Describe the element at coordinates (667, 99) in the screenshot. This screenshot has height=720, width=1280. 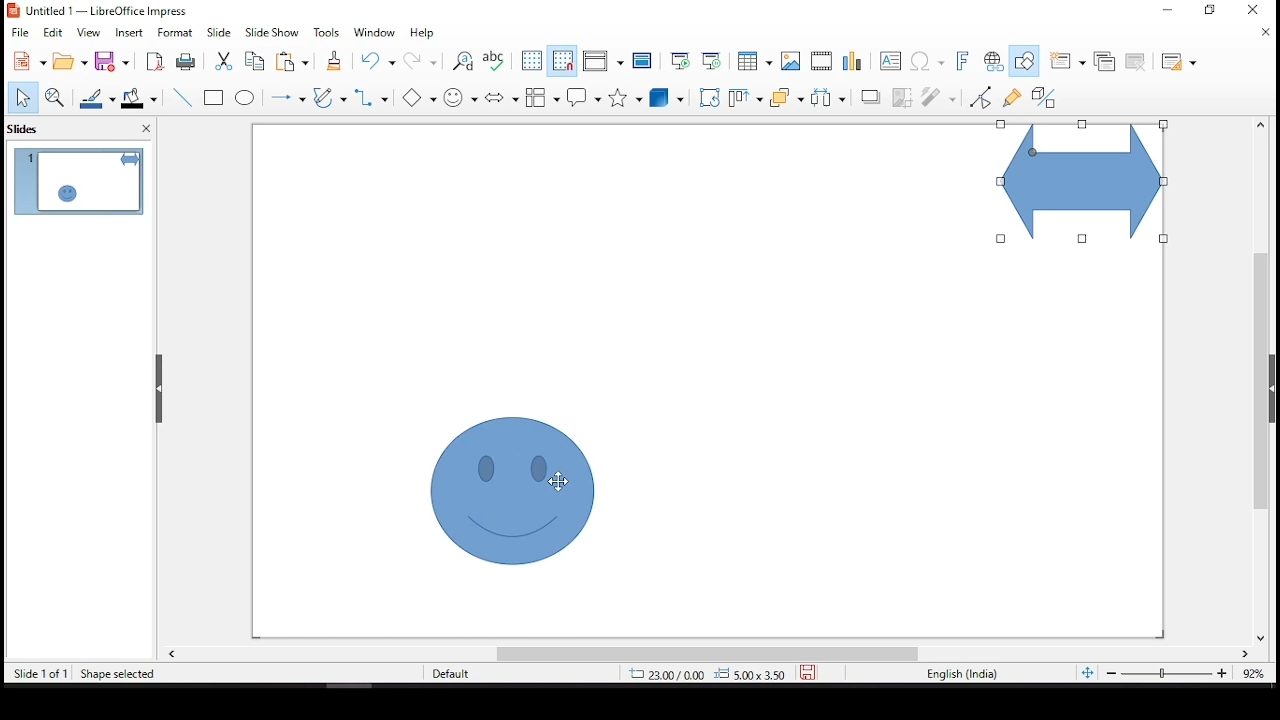
I see `3D objects` at that location.